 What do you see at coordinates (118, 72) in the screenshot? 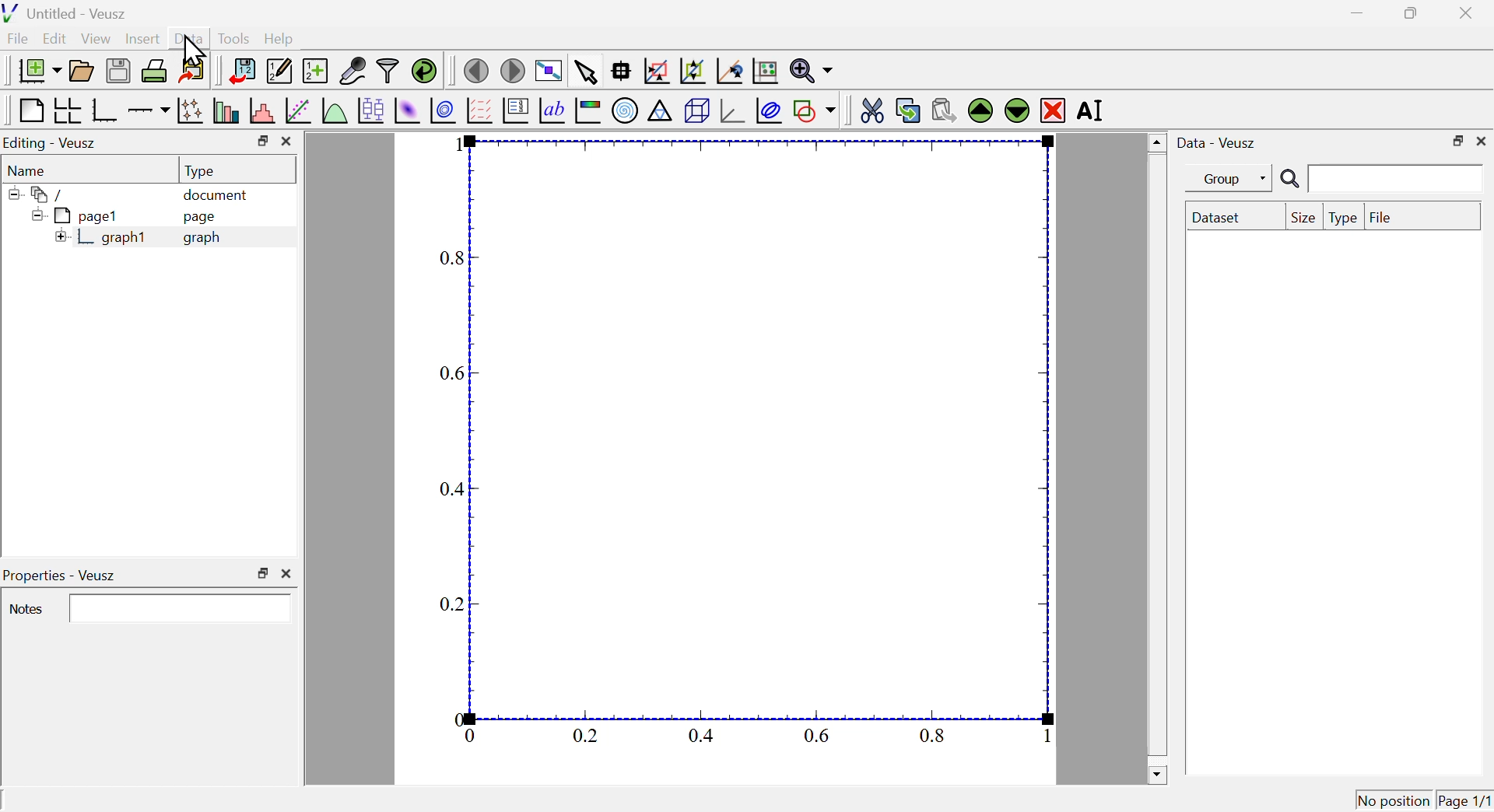
I see `save the document` at bounding box center [118, 72].